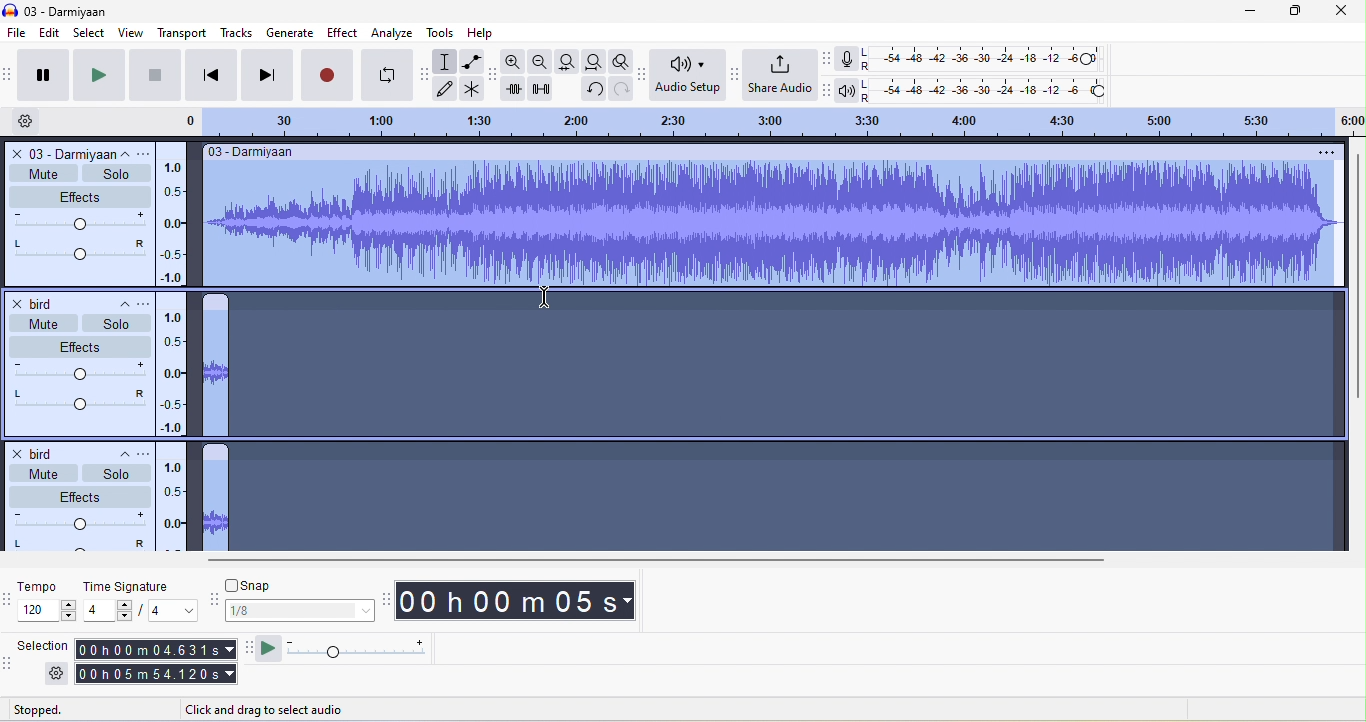 The width and height of the screenshot is (1366, 722). What do you see at coordinates (61, 709) in the screenshot?
I see `stopped` at bounding box center [61, 709].